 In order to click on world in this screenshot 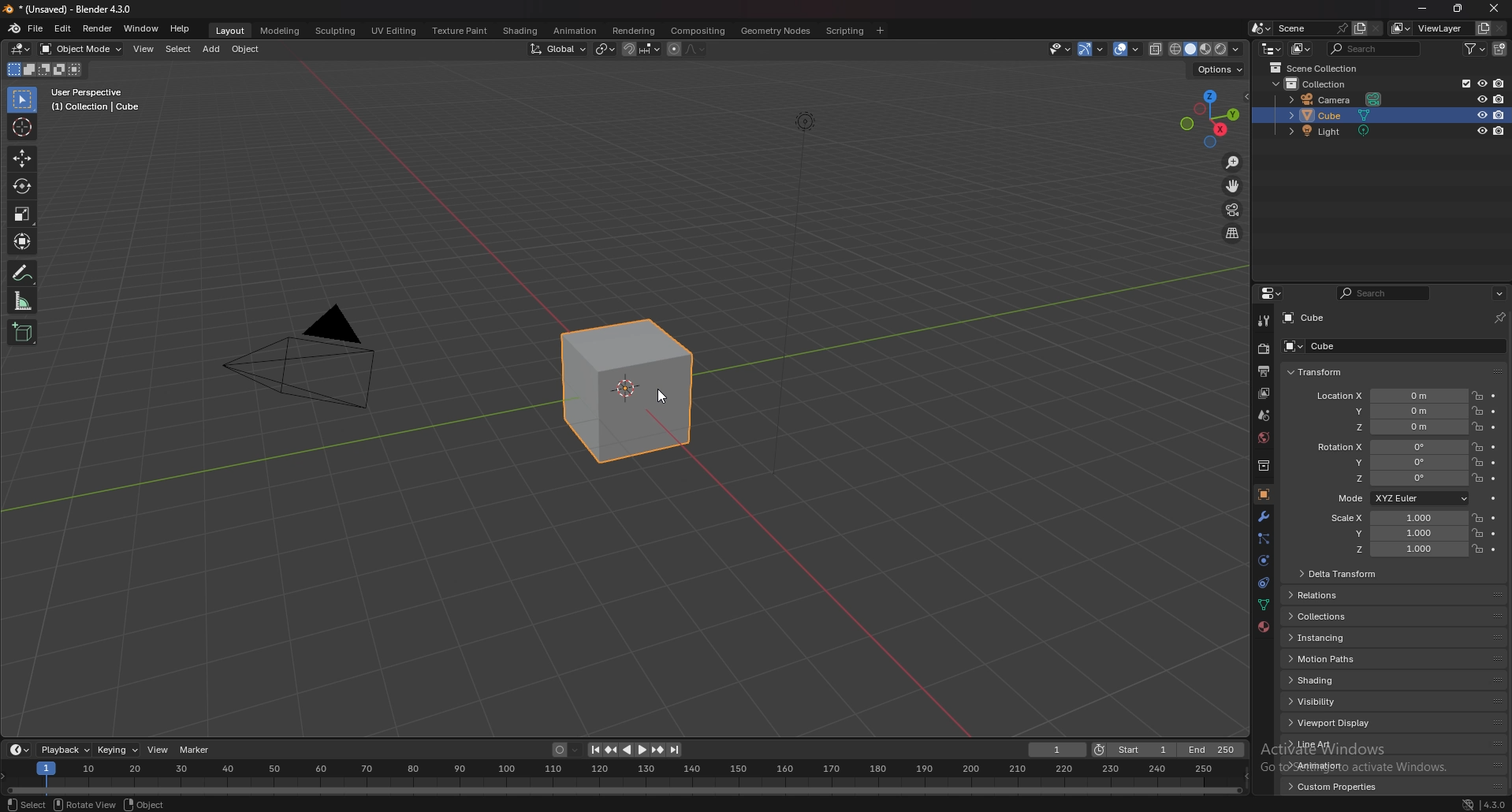, I will do `click(1264, 438)`.